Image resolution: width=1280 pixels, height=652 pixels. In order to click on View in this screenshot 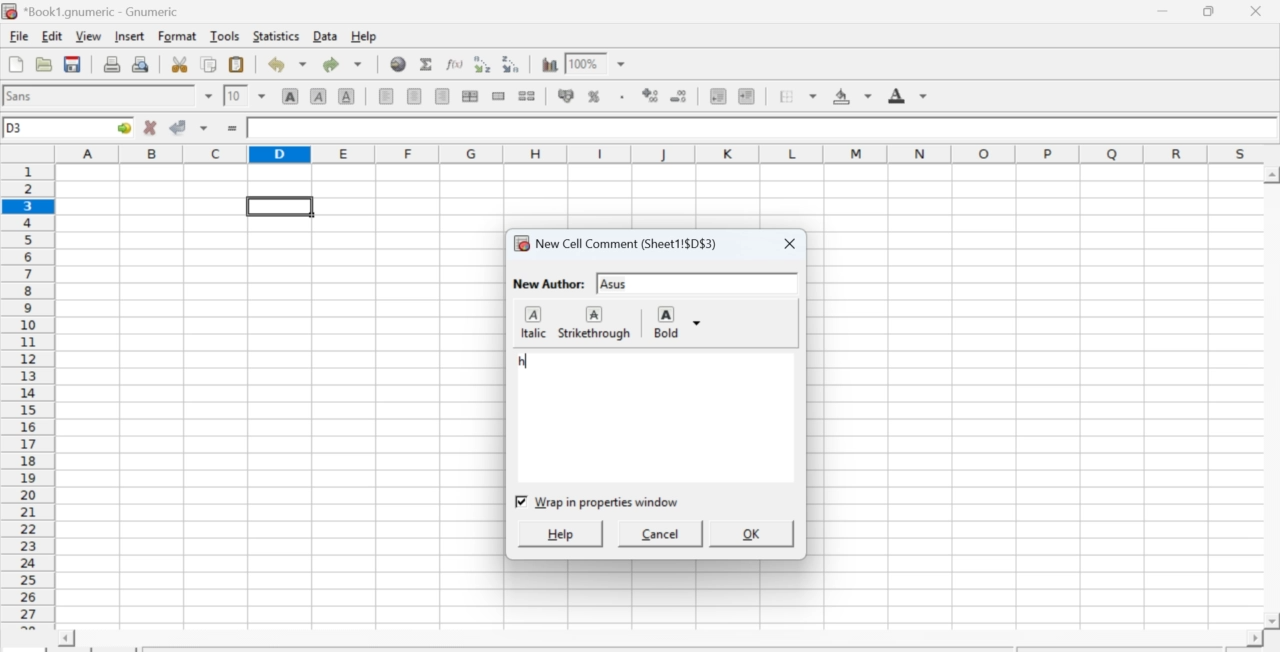, I will do `click(88, 35)`.